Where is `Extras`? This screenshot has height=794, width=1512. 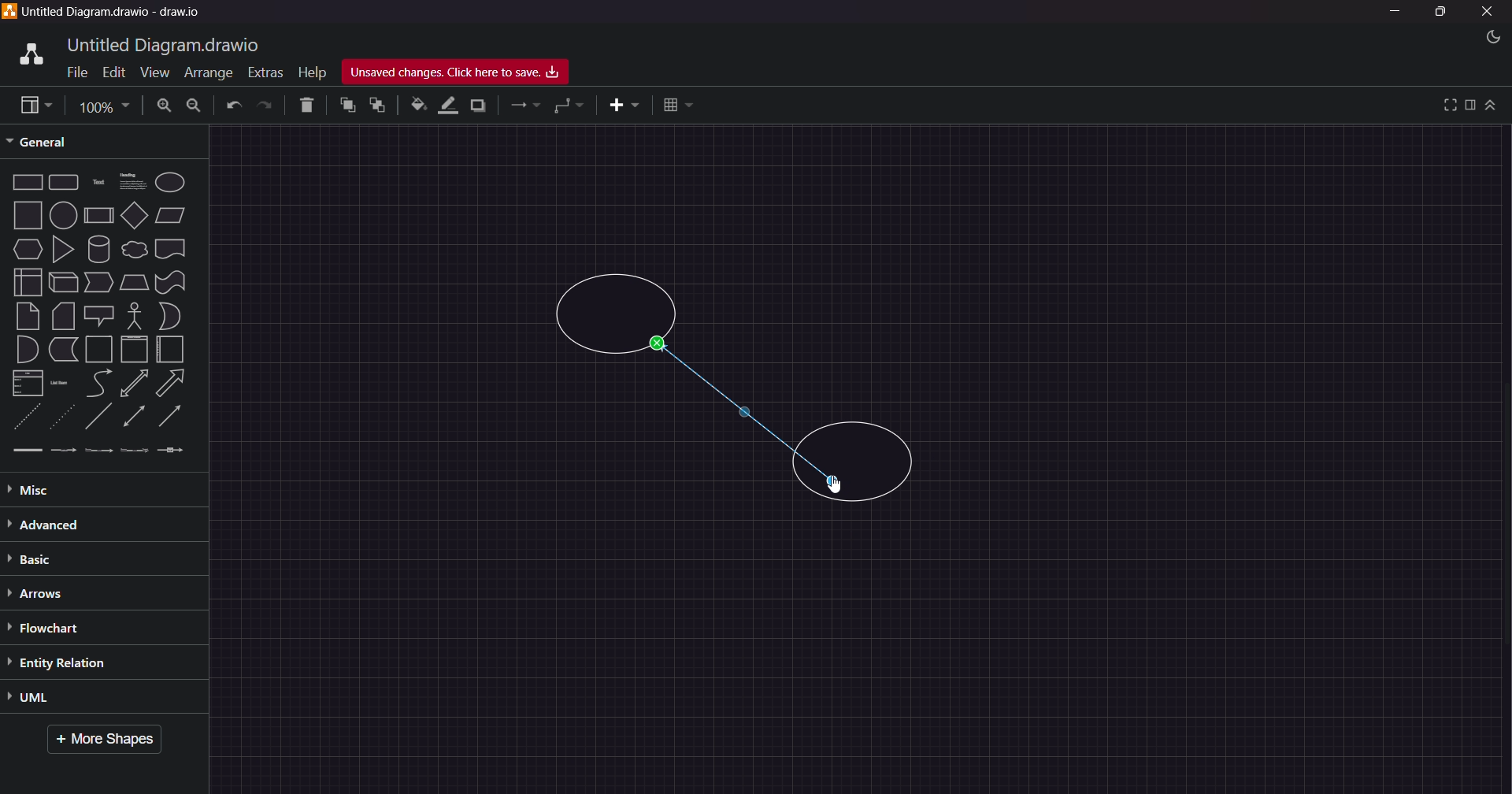 Extras is located at coordinates (265, 70).